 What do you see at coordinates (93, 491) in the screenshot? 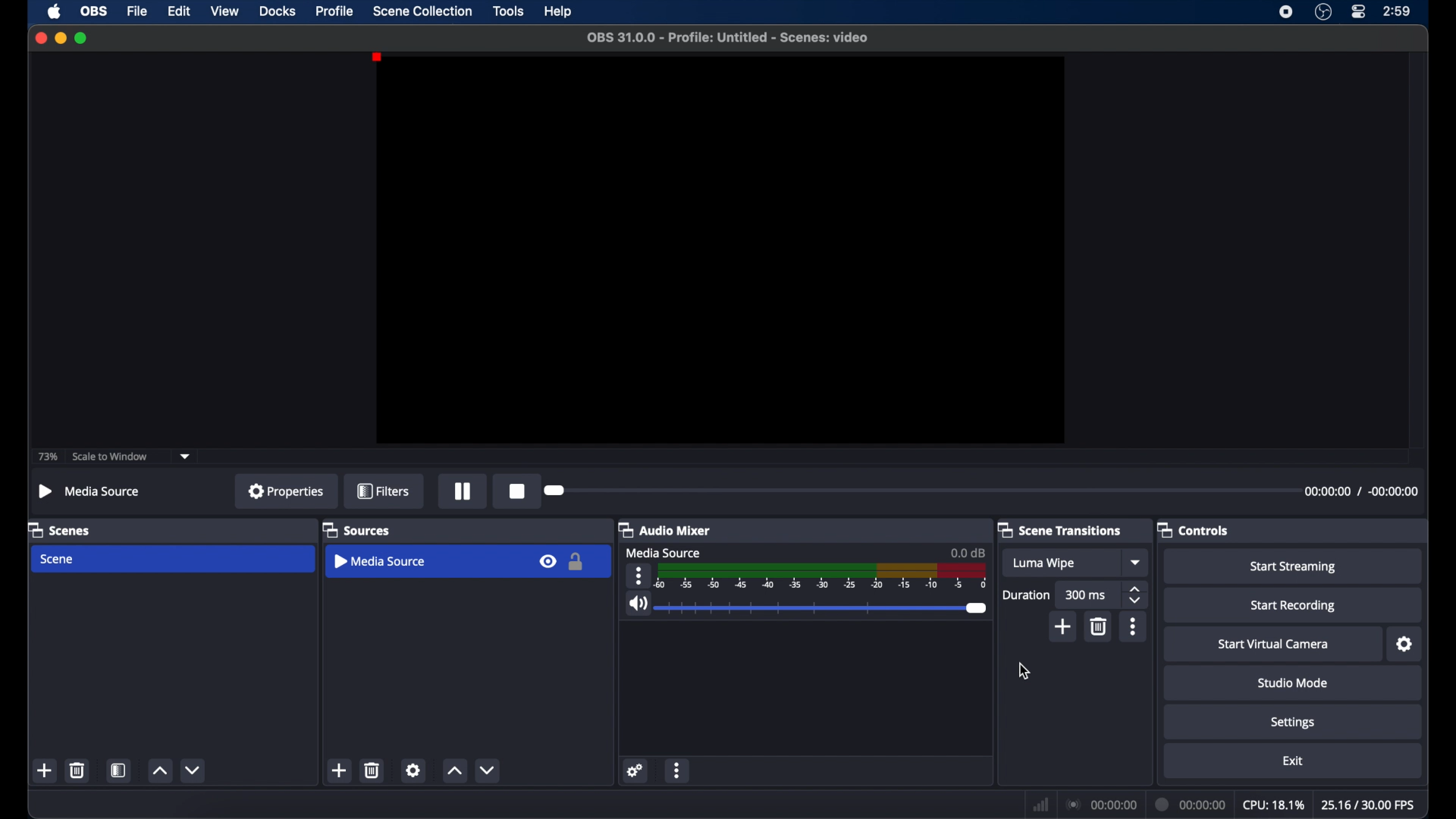
I see `no source selected` at bounding box center [93, 491].